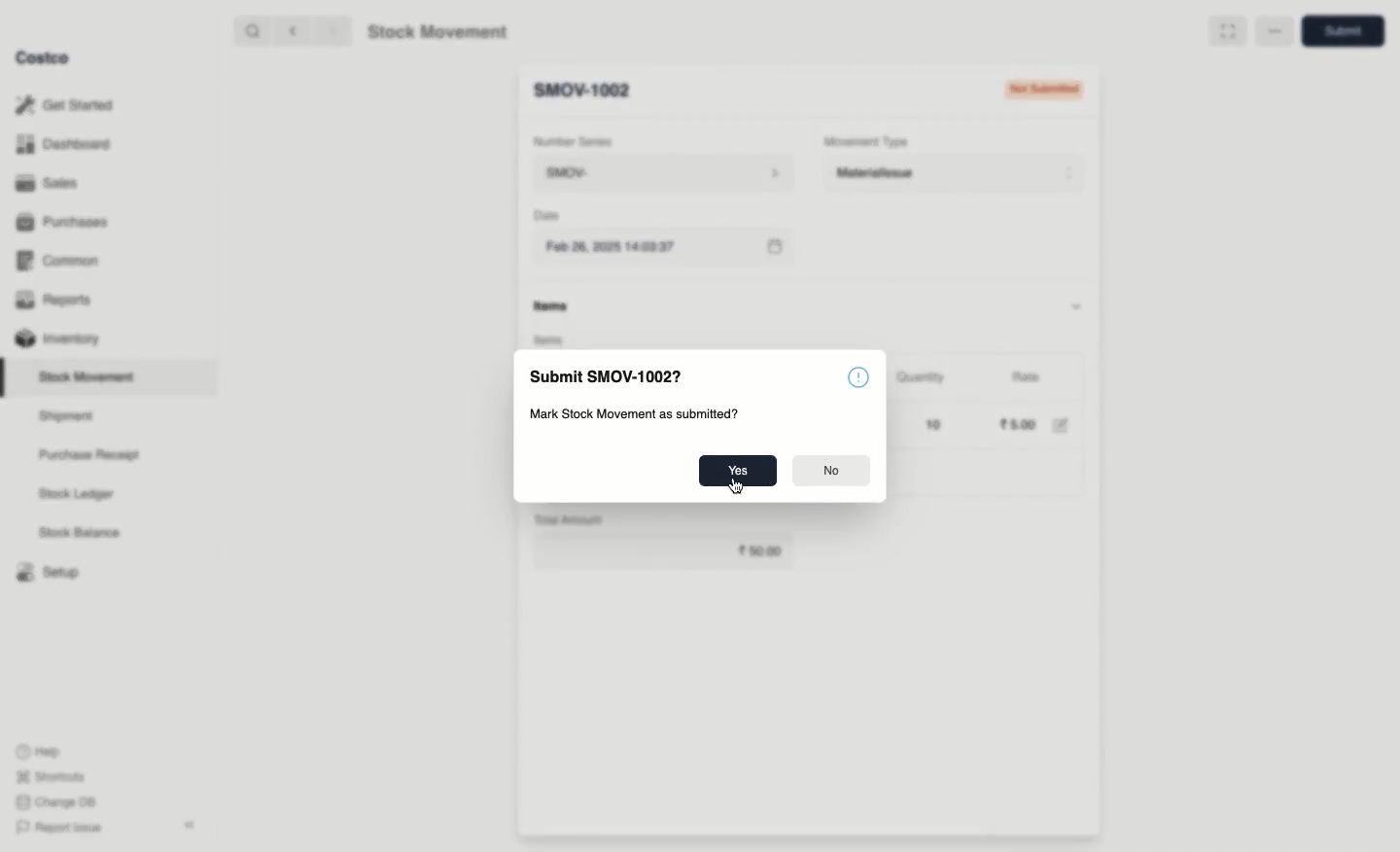  I want to click on cursor, so click(735, 487).